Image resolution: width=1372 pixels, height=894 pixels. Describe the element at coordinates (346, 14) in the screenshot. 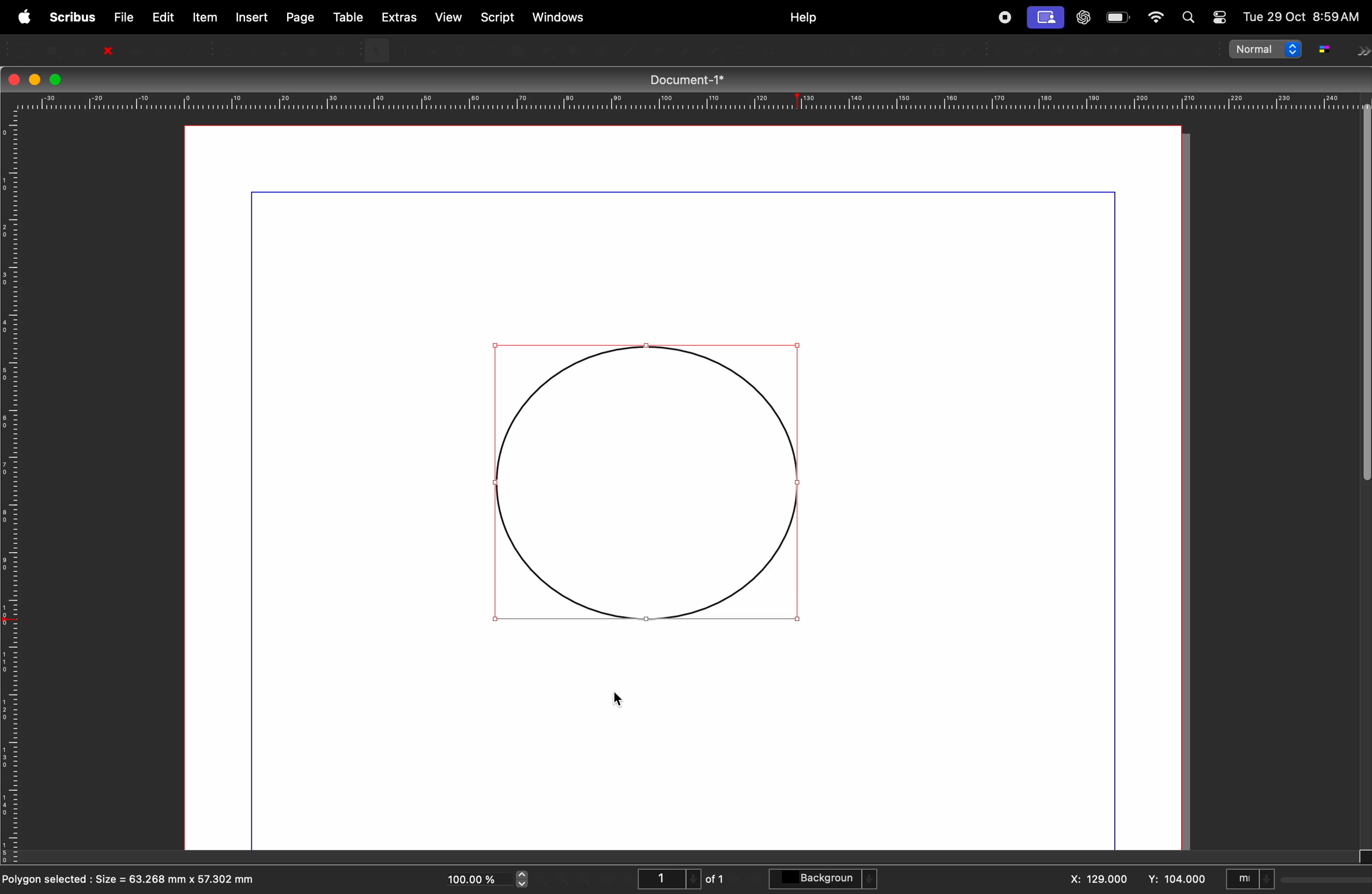

I see `table` at that location.